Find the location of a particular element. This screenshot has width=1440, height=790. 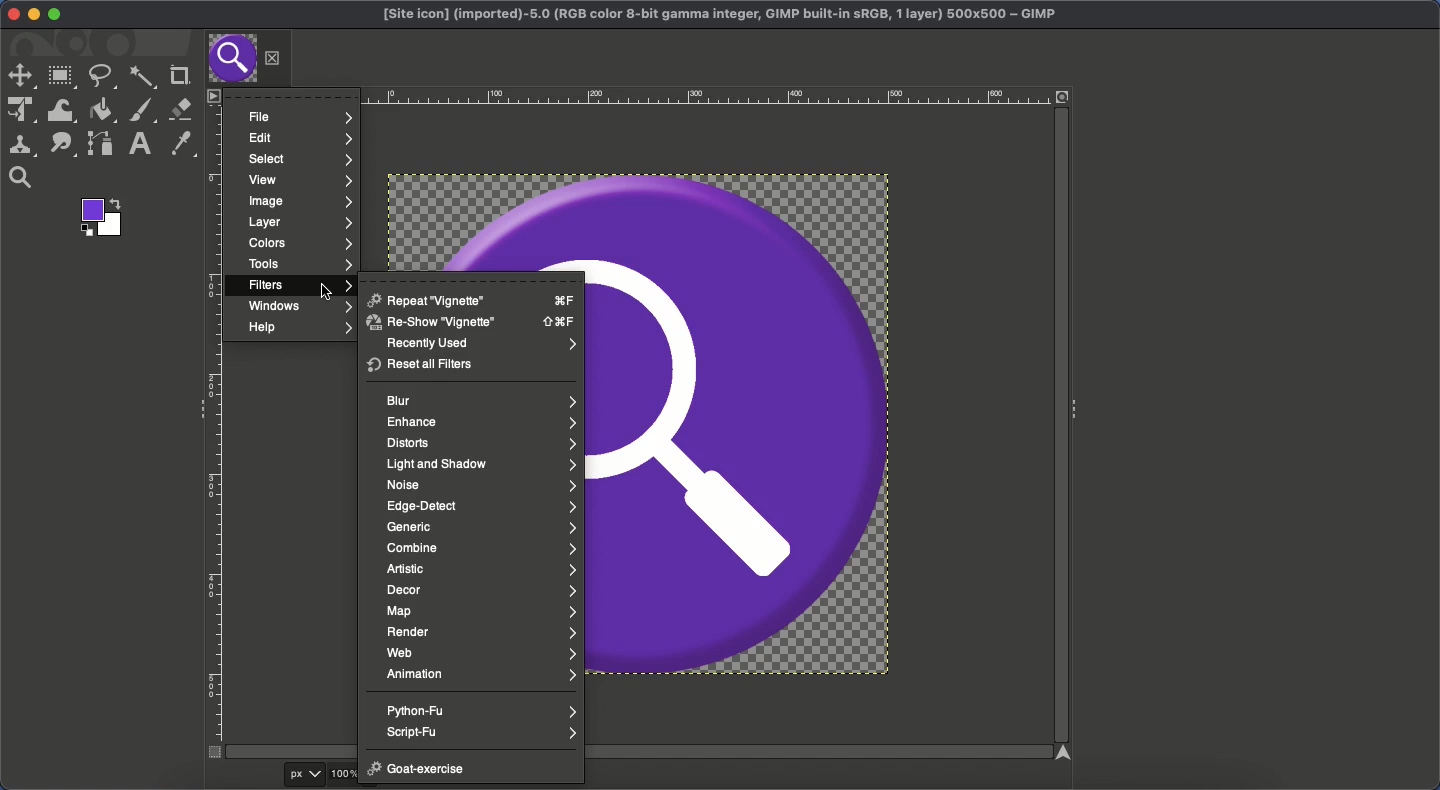

Blue is located at coordinates (482, 400).